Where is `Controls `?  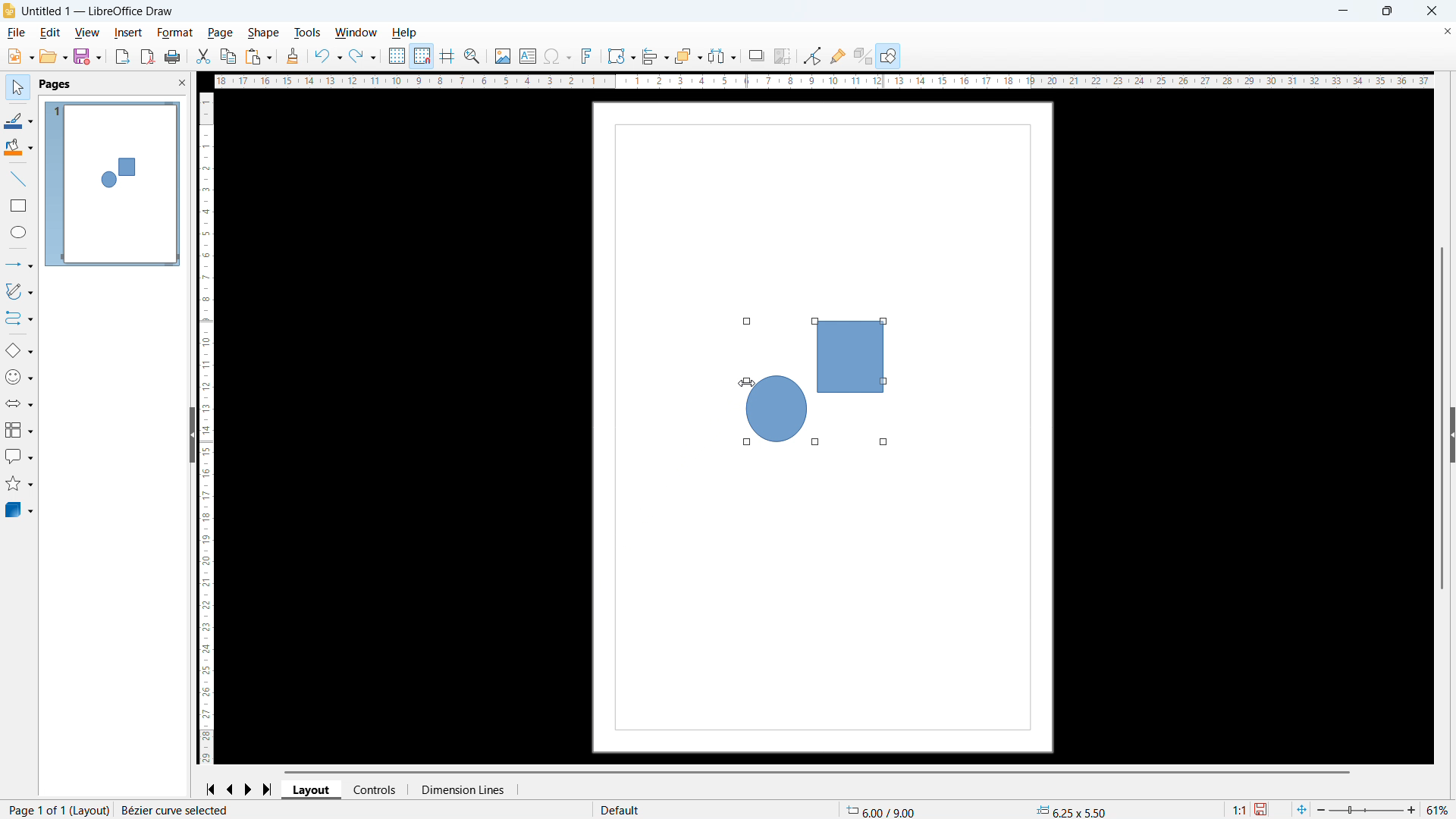
Controls  is located at coordinates (377, 789).